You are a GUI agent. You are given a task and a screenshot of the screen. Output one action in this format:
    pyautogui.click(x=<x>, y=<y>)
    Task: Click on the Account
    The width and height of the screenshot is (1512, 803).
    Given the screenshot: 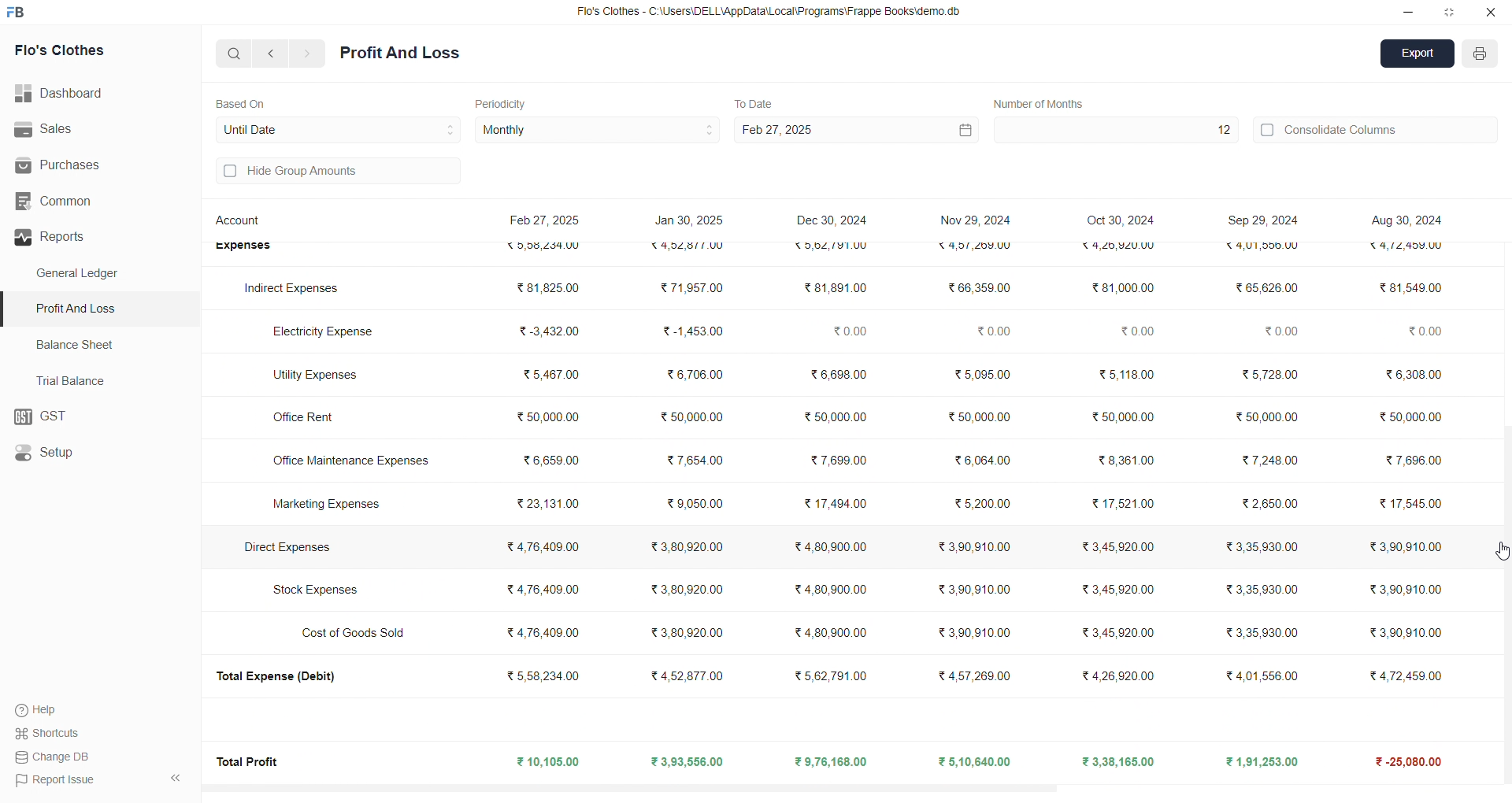 What is the action you would take?
    pyautogui.click(x=242, y=223)
    